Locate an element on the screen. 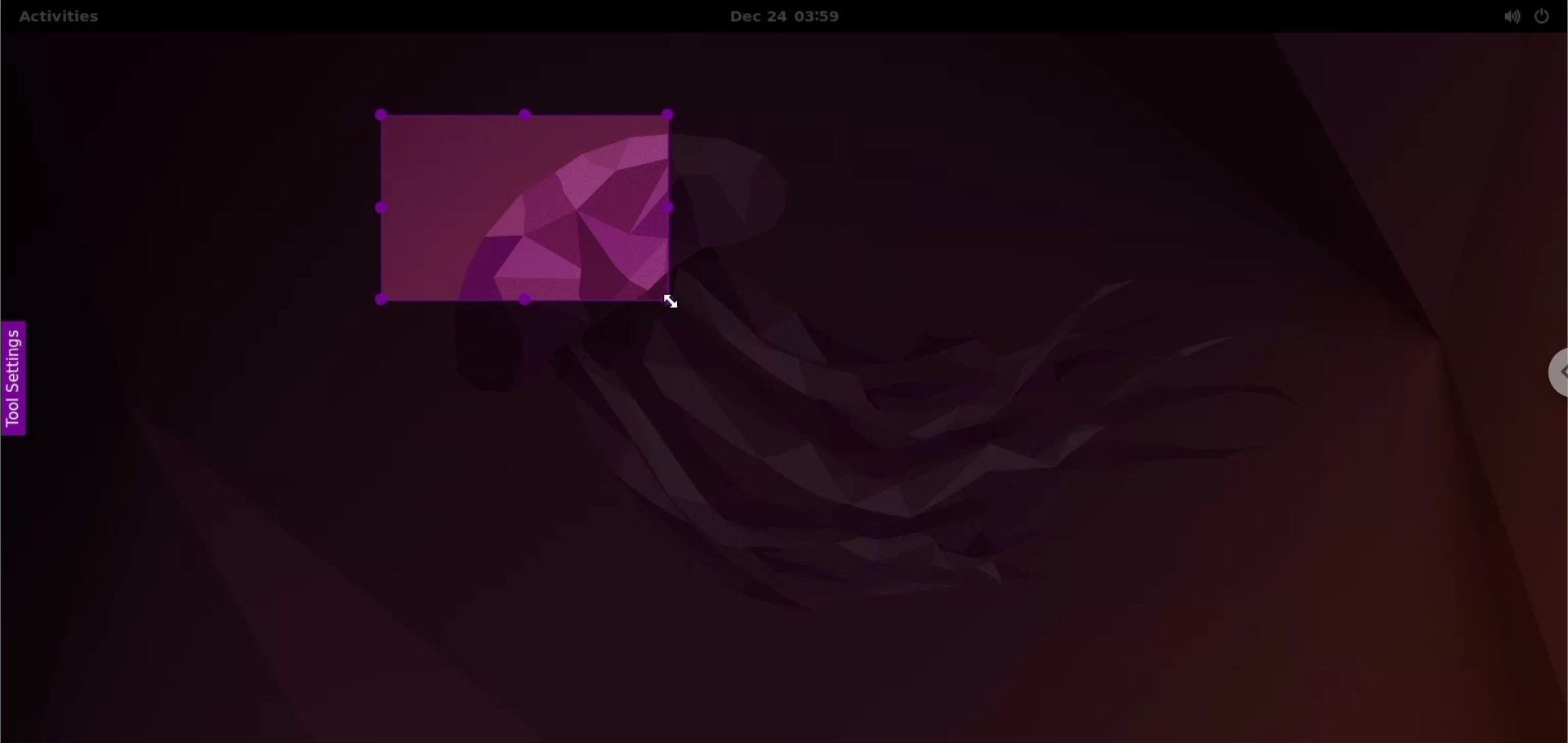  sound options  is located at coordinates (1508, 17).